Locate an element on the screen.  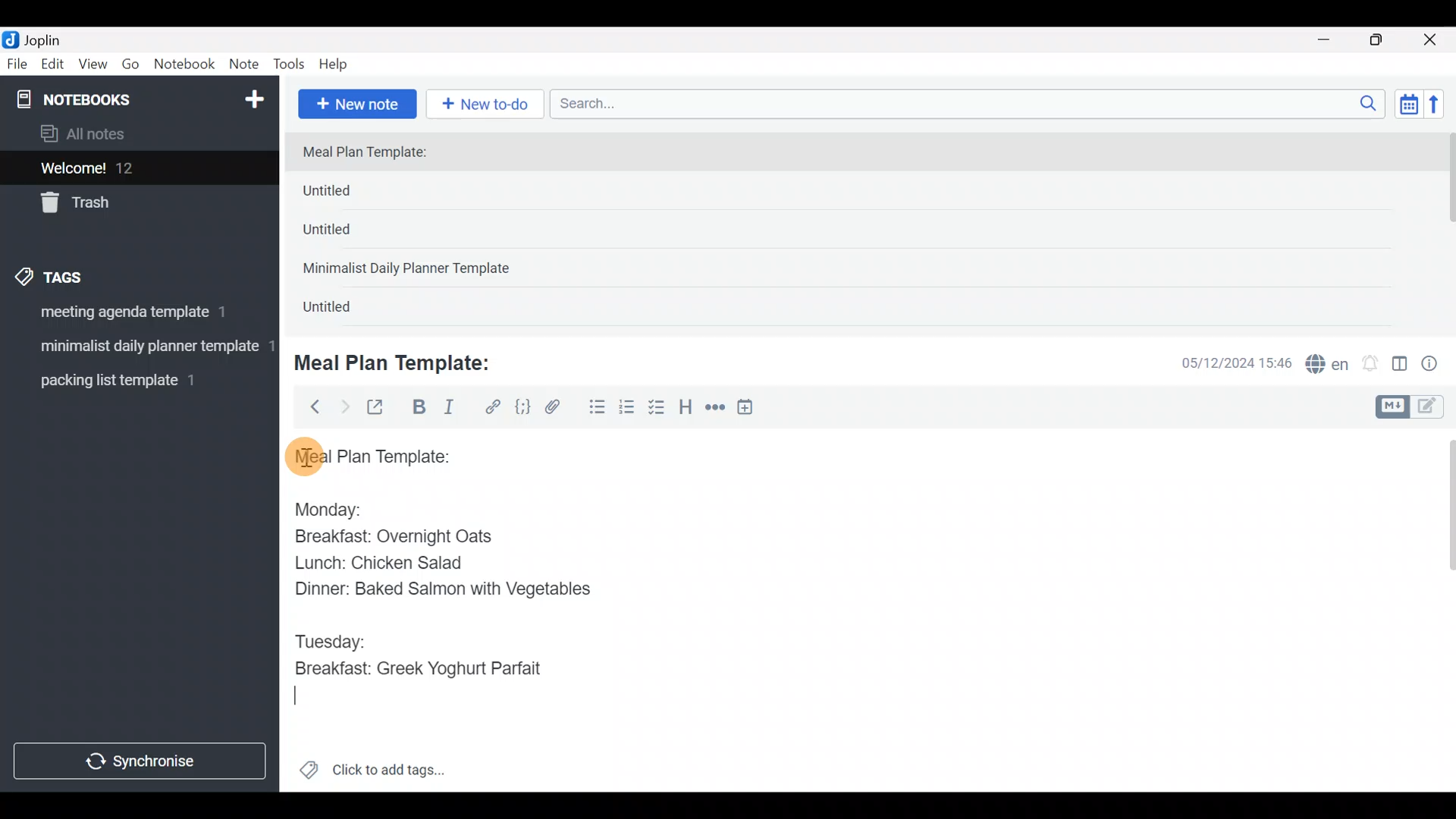
Note properties is located at coordinates (1436, 365).